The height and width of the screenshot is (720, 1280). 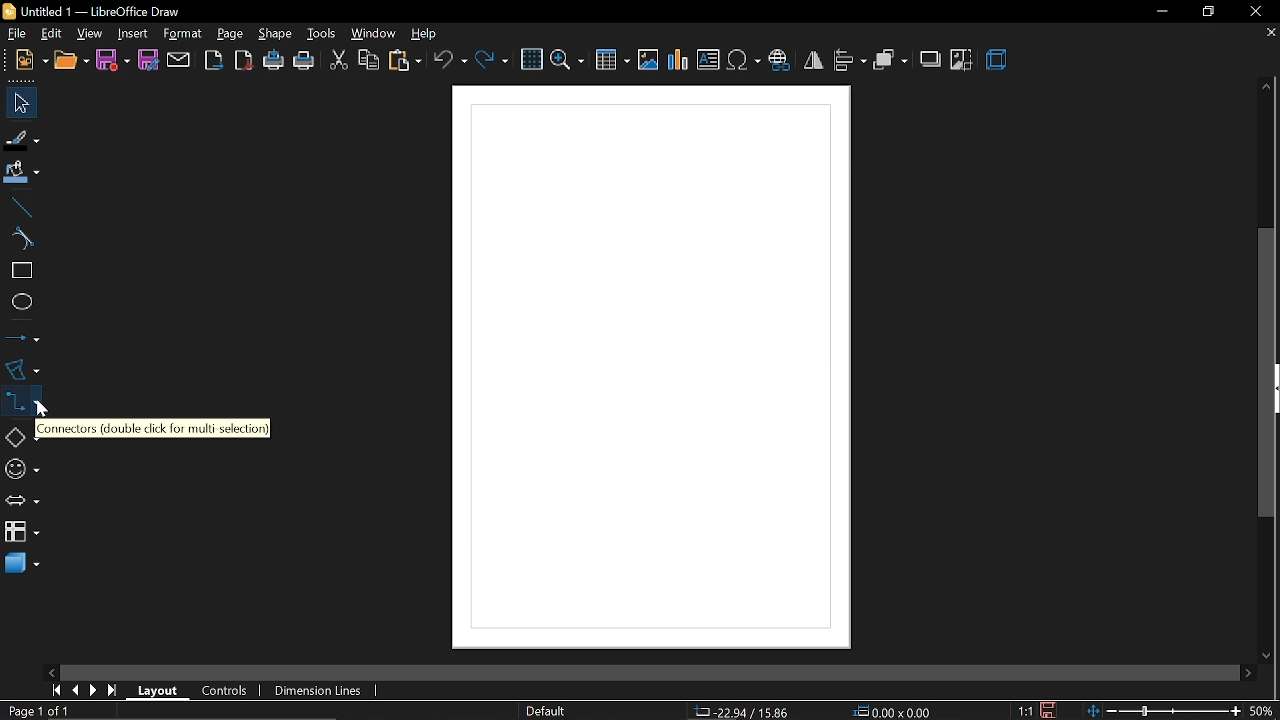 I want to click on move down, so click(x=1269, y=653).